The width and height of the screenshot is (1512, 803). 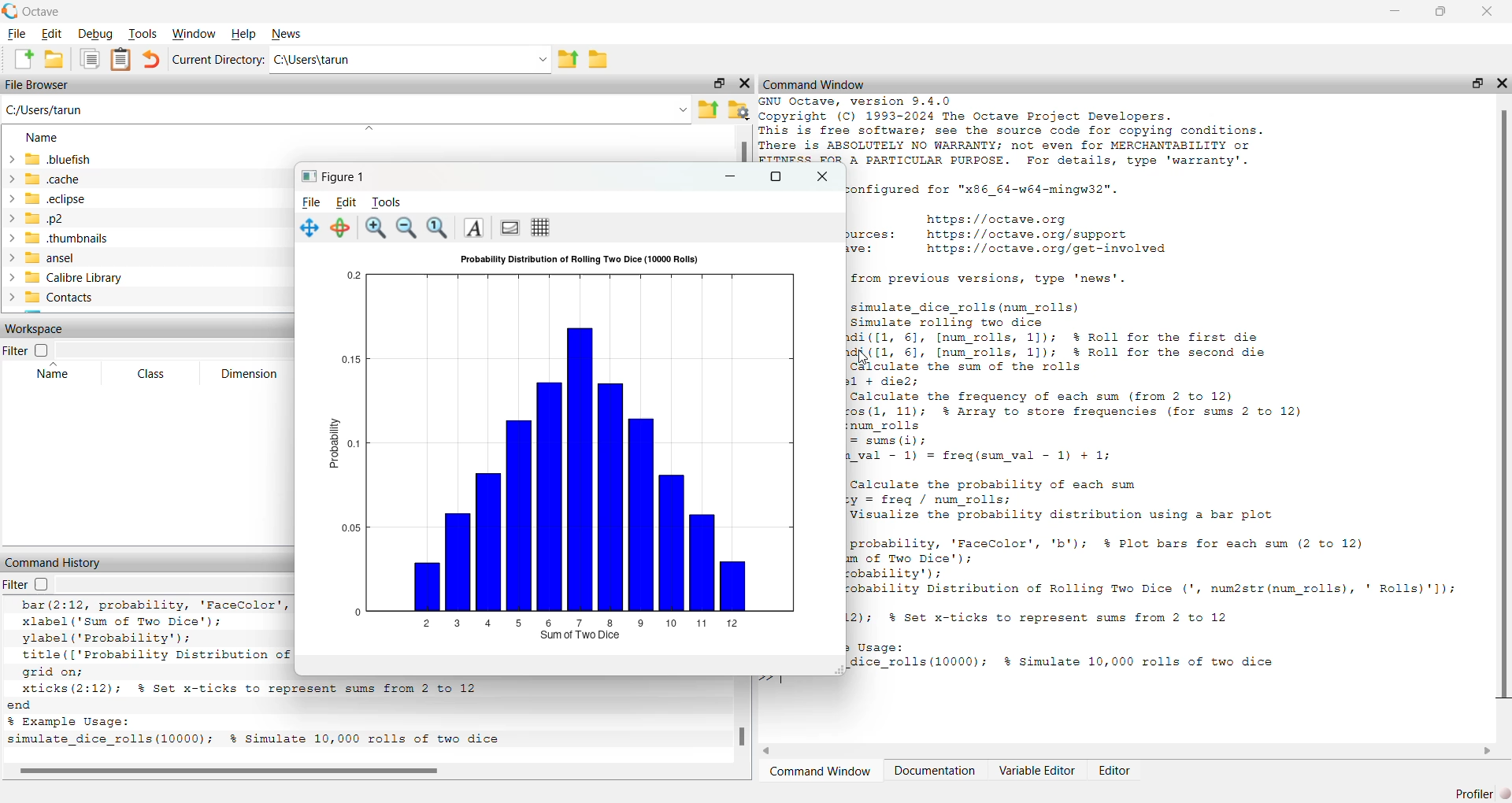 I want to click on File, so click(x=16, y=35).